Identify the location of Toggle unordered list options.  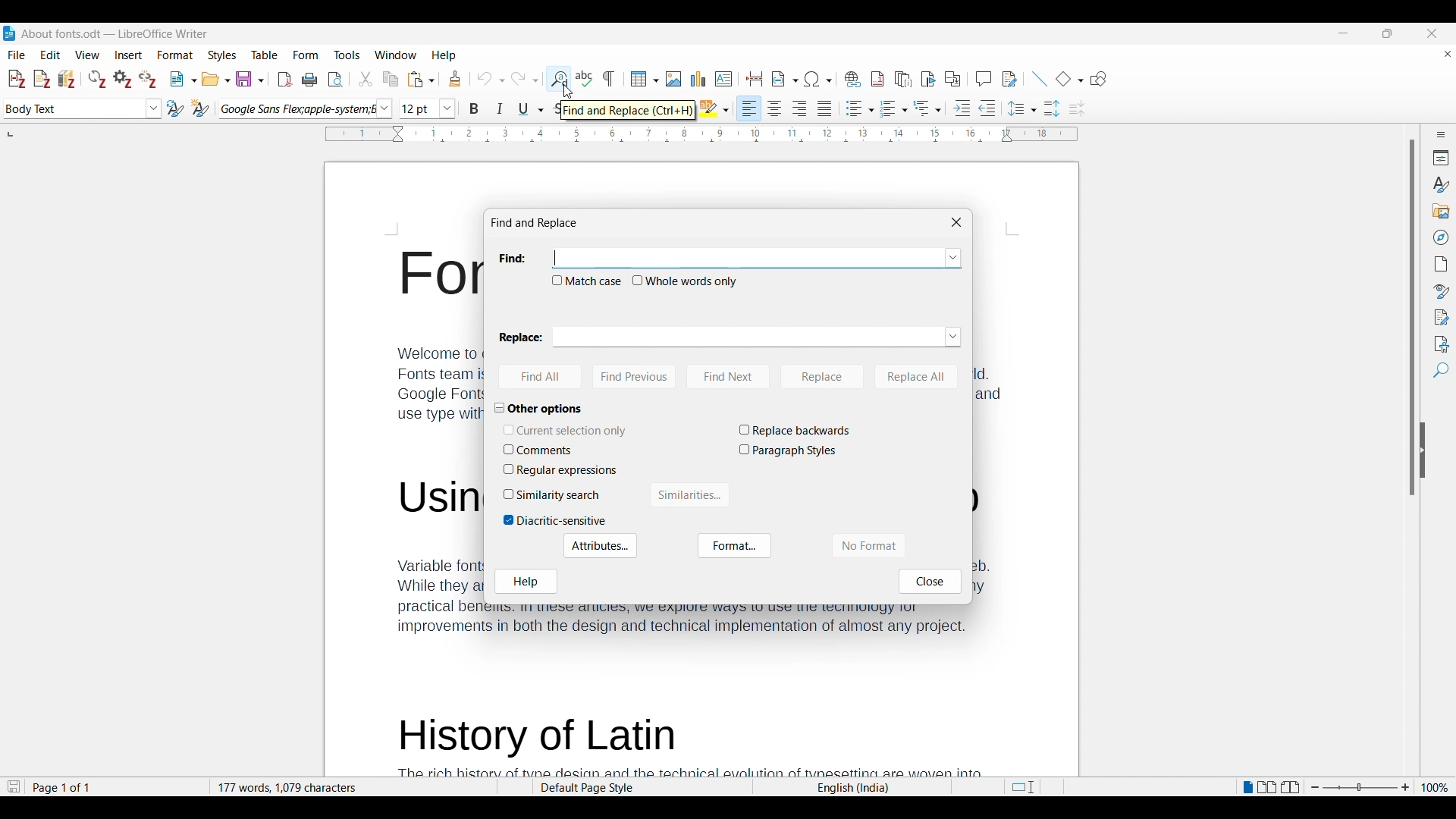
(859, 108).